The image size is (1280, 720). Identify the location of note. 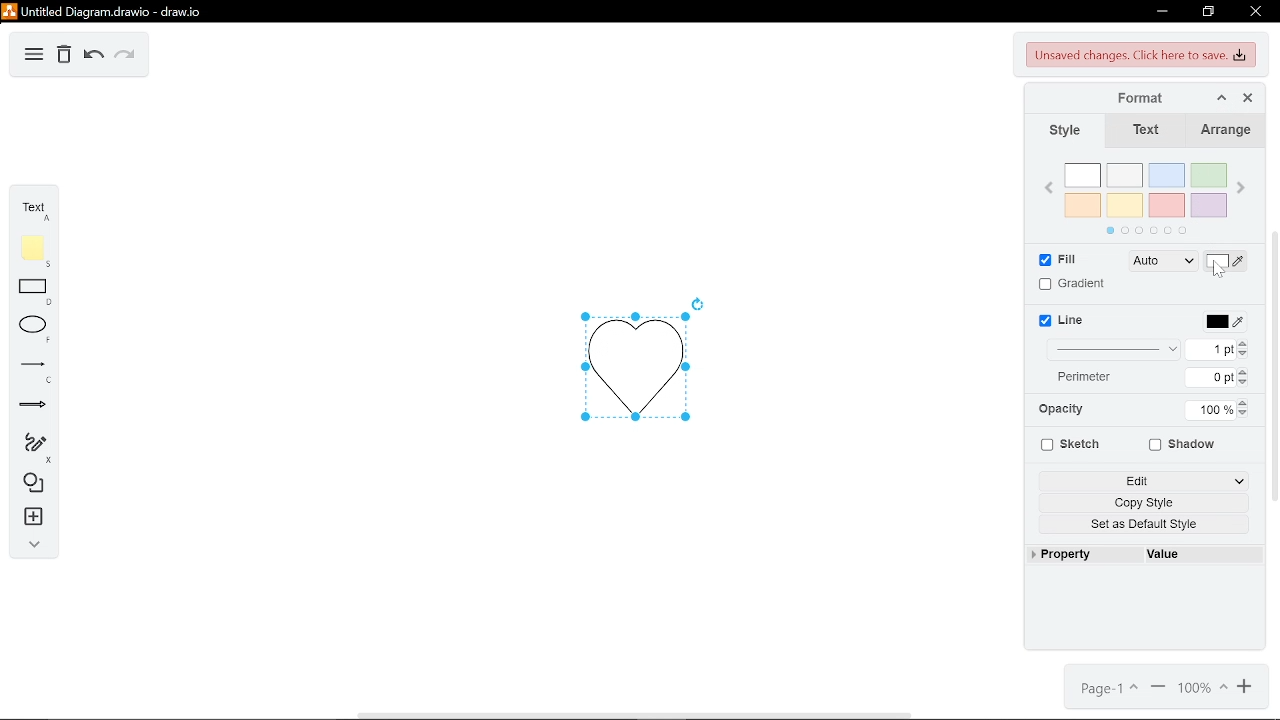
(32, 251).